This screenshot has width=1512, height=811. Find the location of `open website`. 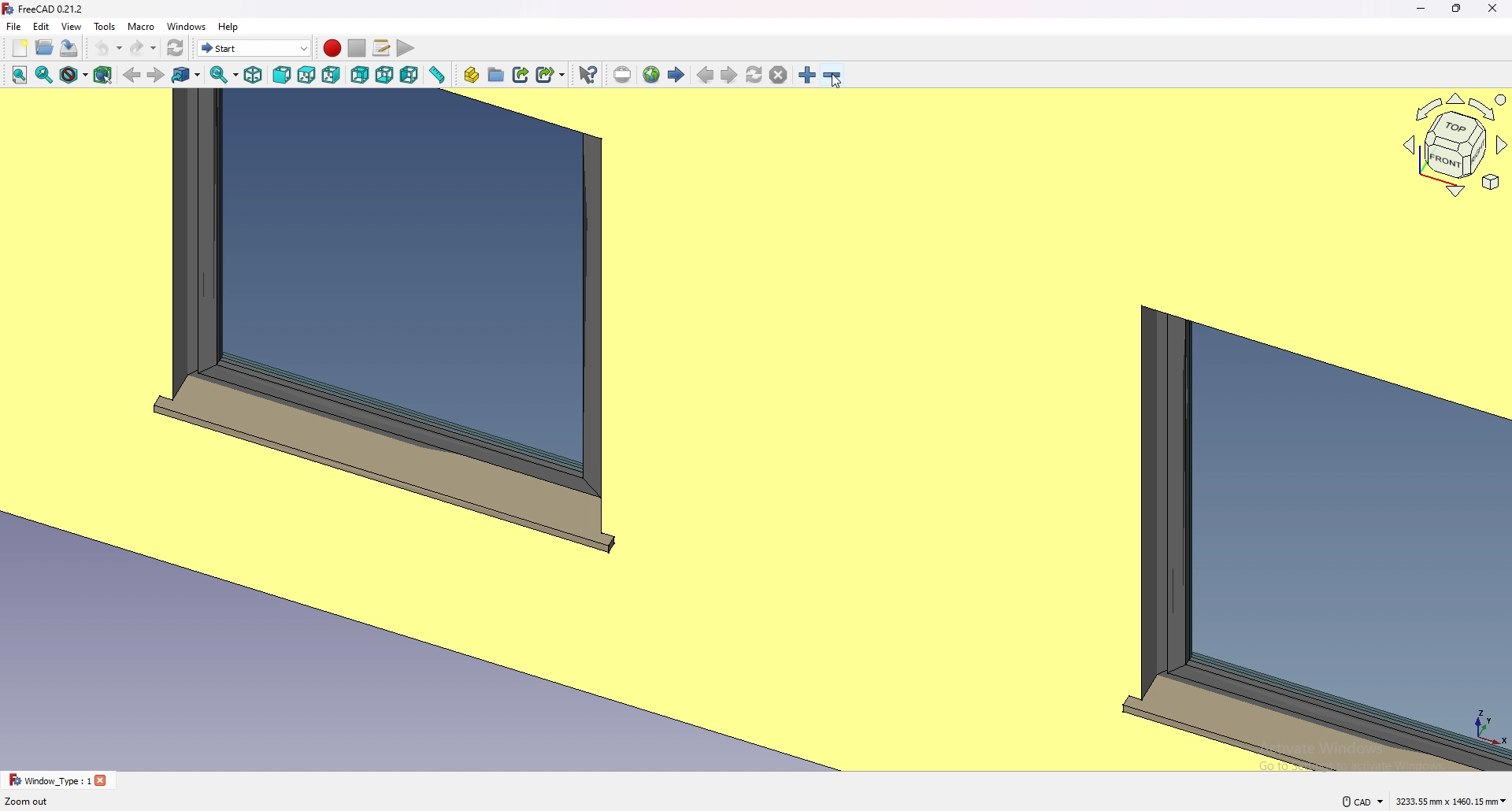

open website is located at coordinates (651, 75).